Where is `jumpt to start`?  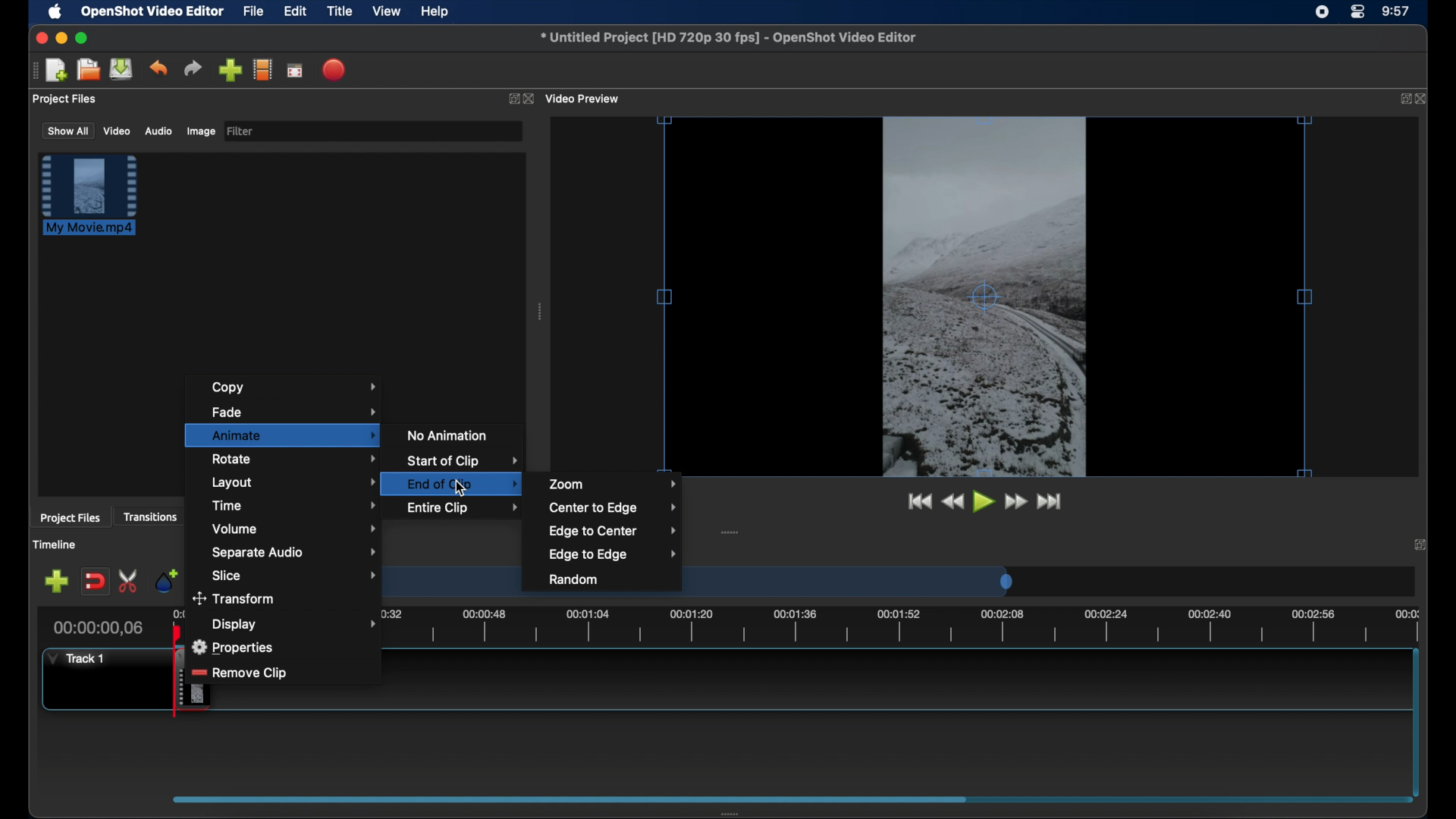
jumpt to start is located at coordinates (918, 501).